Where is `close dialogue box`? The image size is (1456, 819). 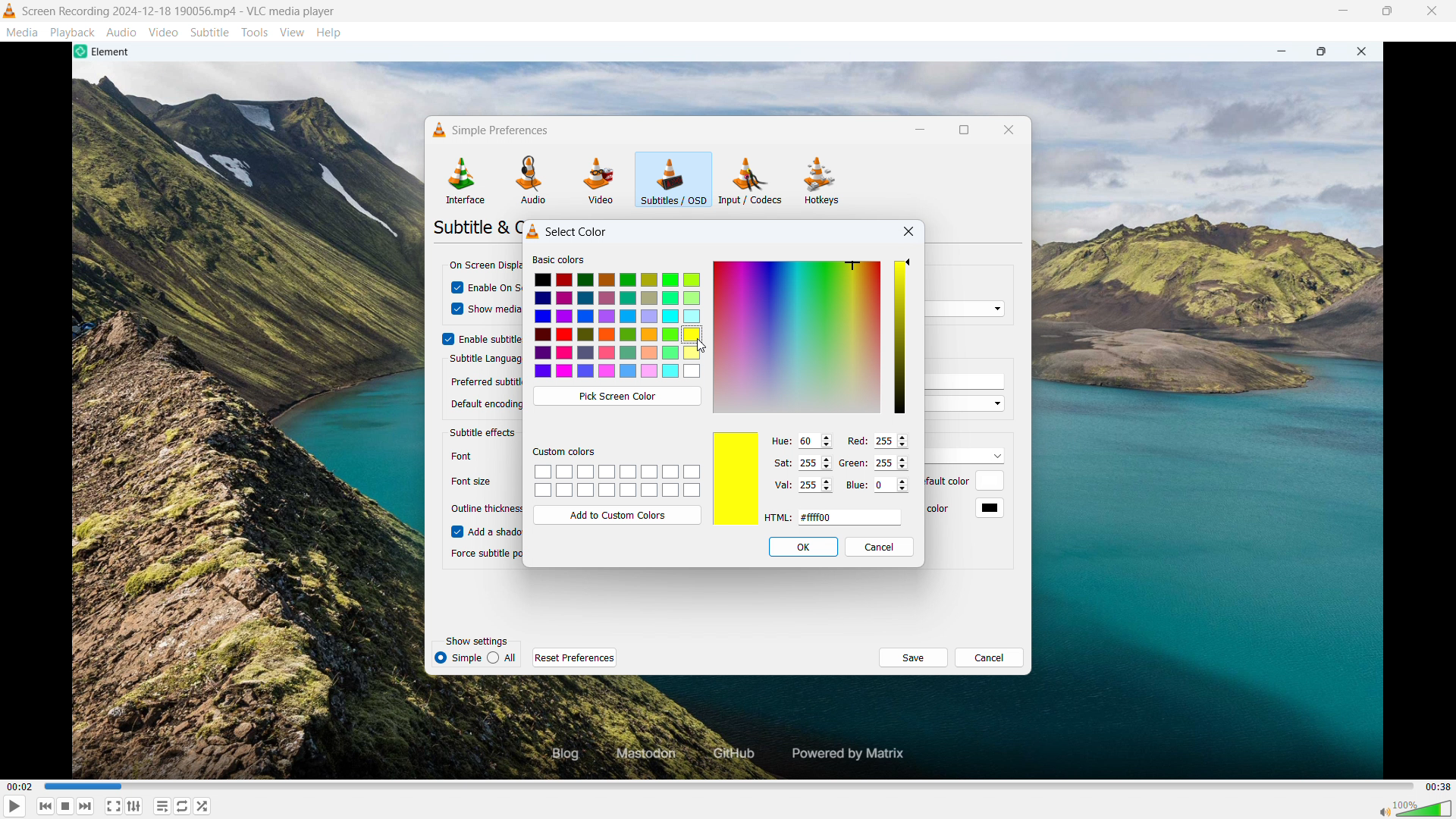
close dialogue box is located at coordinates (905, 231).